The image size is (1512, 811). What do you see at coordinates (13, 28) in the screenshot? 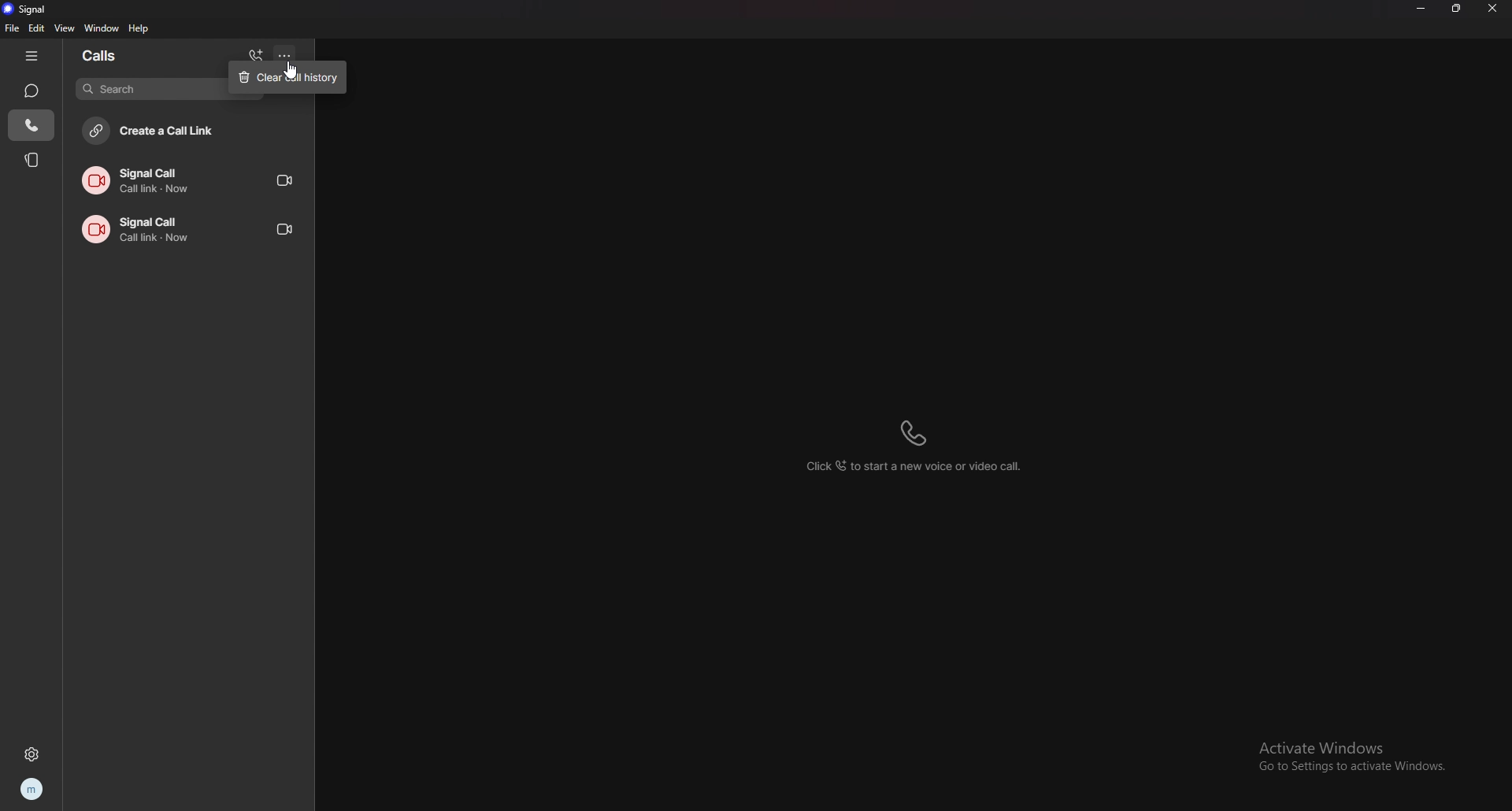
I see `file` at bounding box center [13, 28].